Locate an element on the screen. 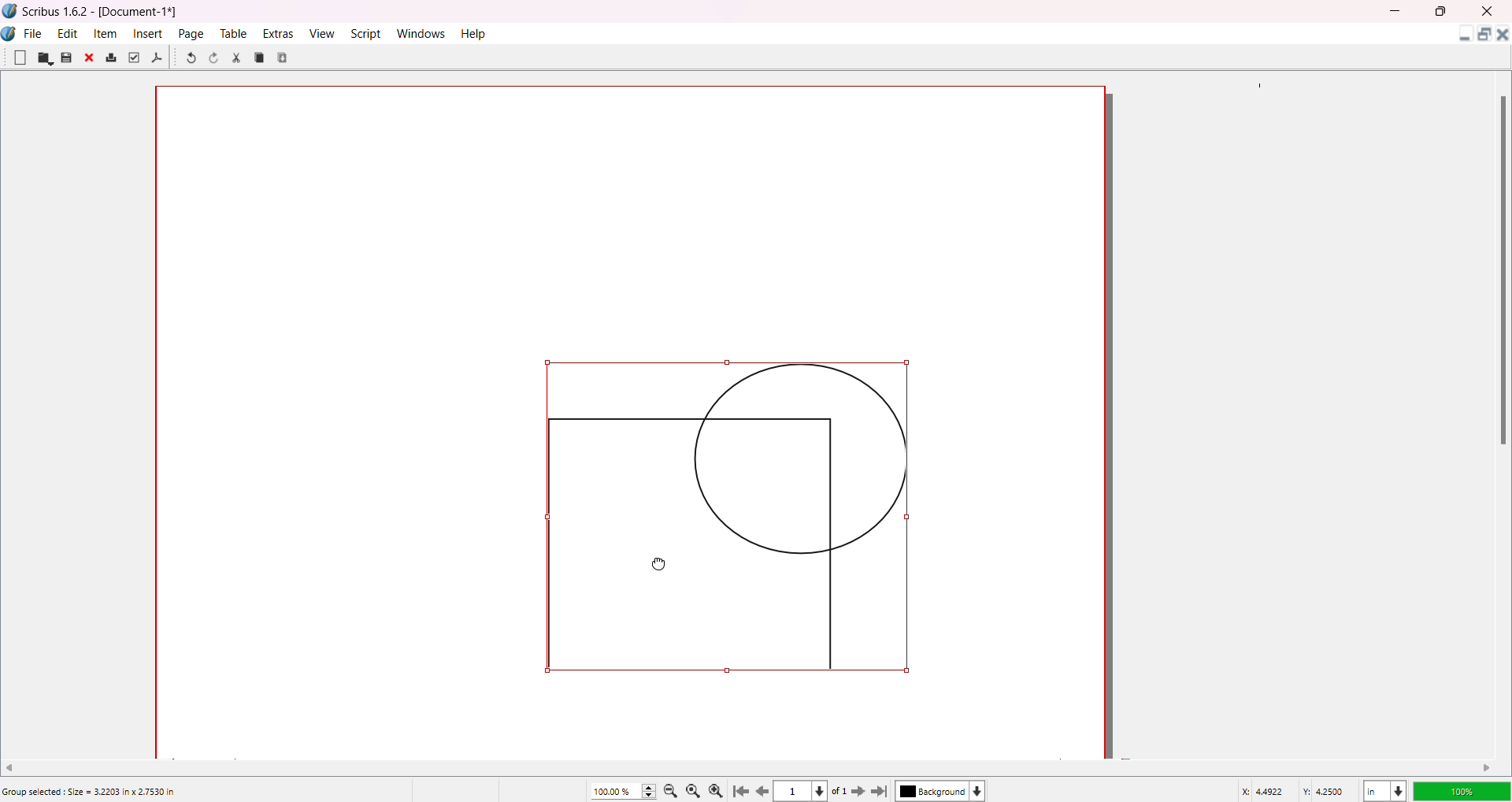 The image size is (1512, 802). Page dropdown is located at coordinates (826, 790).